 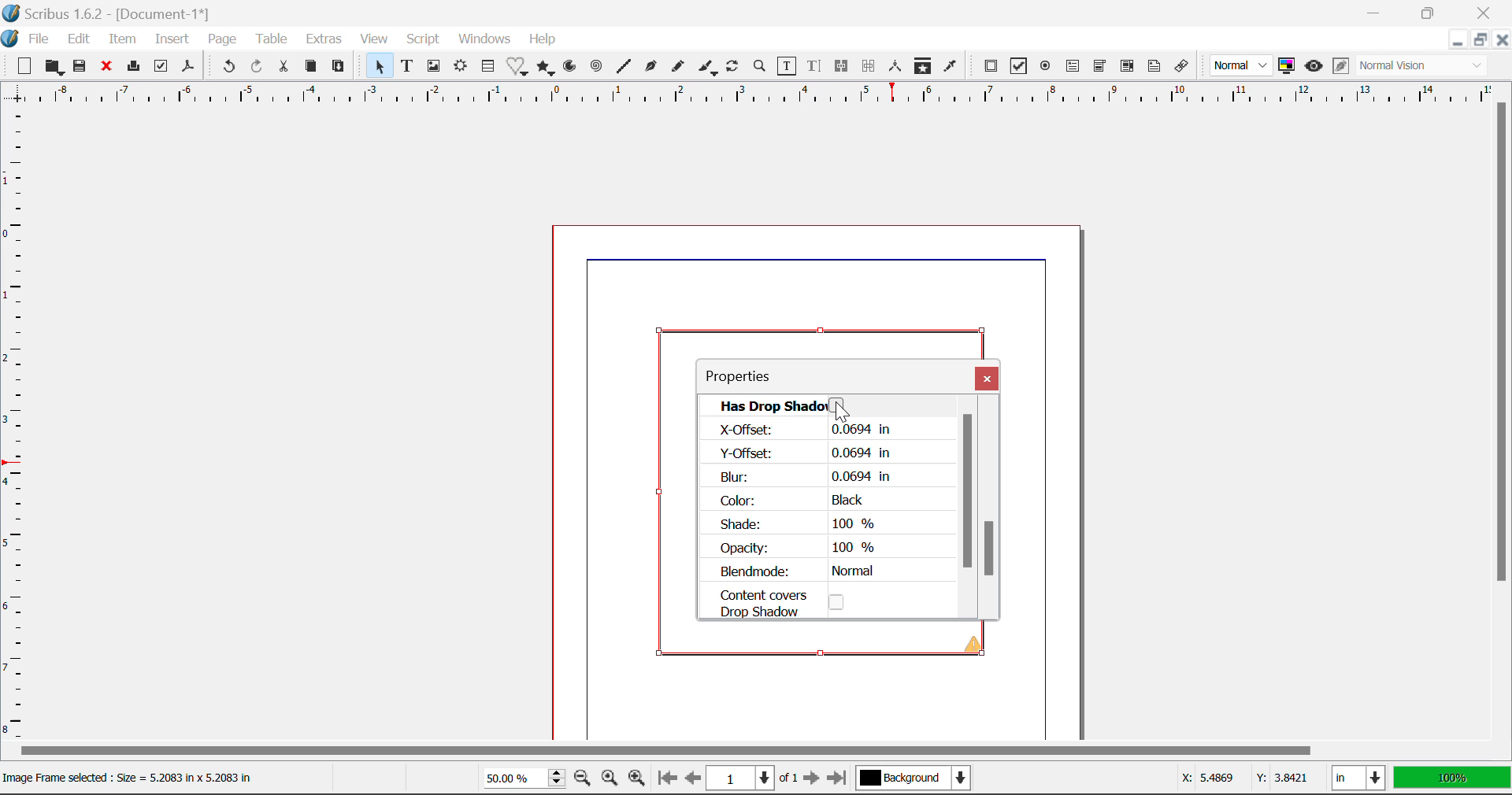 What do you see at coordinates (137, 778) in the screenshot?
I see `Image Frame selected : Size = 5.2083 in x 5.2083 in` at bounding box center [137, 778].